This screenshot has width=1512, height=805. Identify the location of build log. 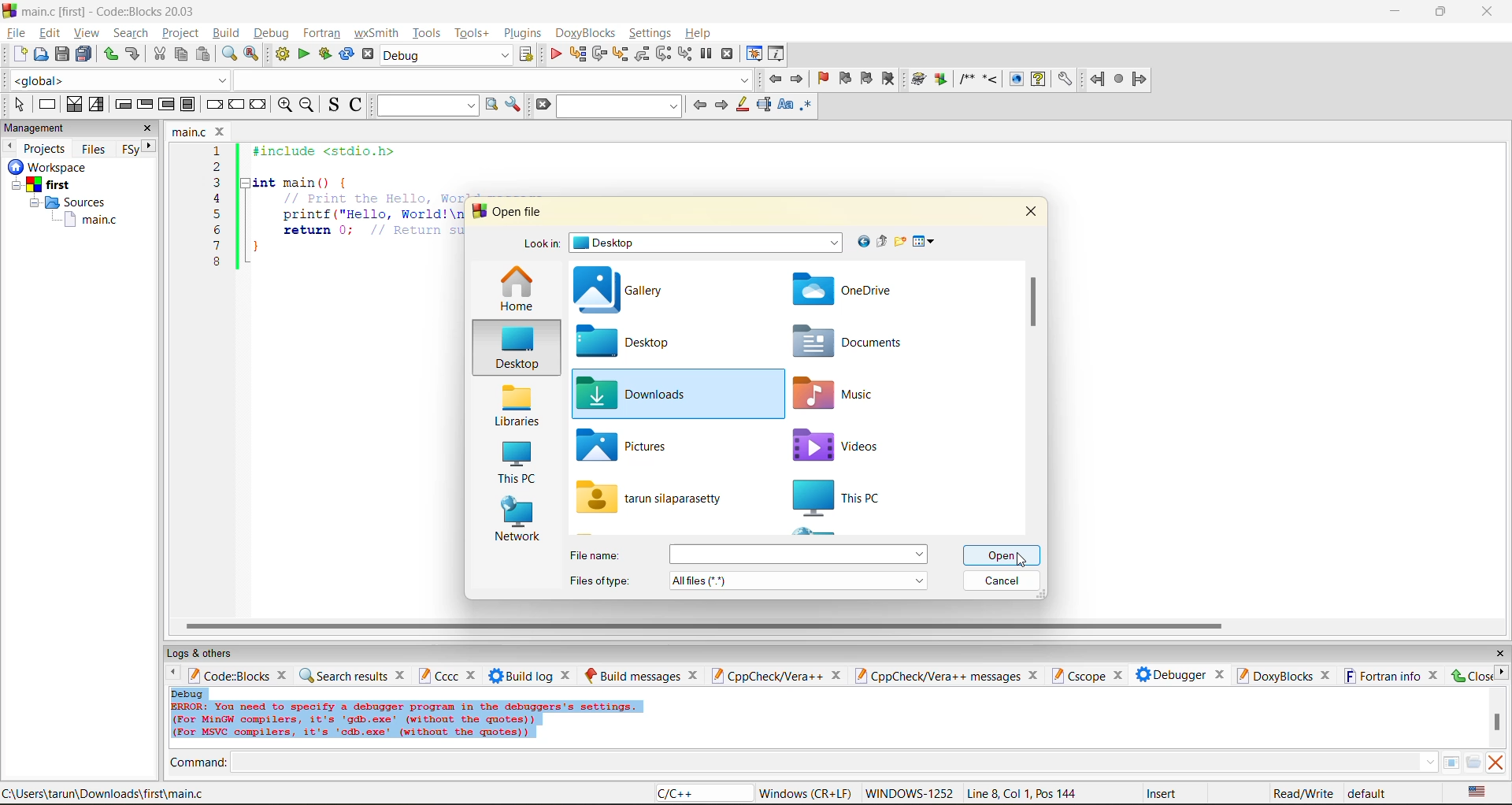
(521, 676).